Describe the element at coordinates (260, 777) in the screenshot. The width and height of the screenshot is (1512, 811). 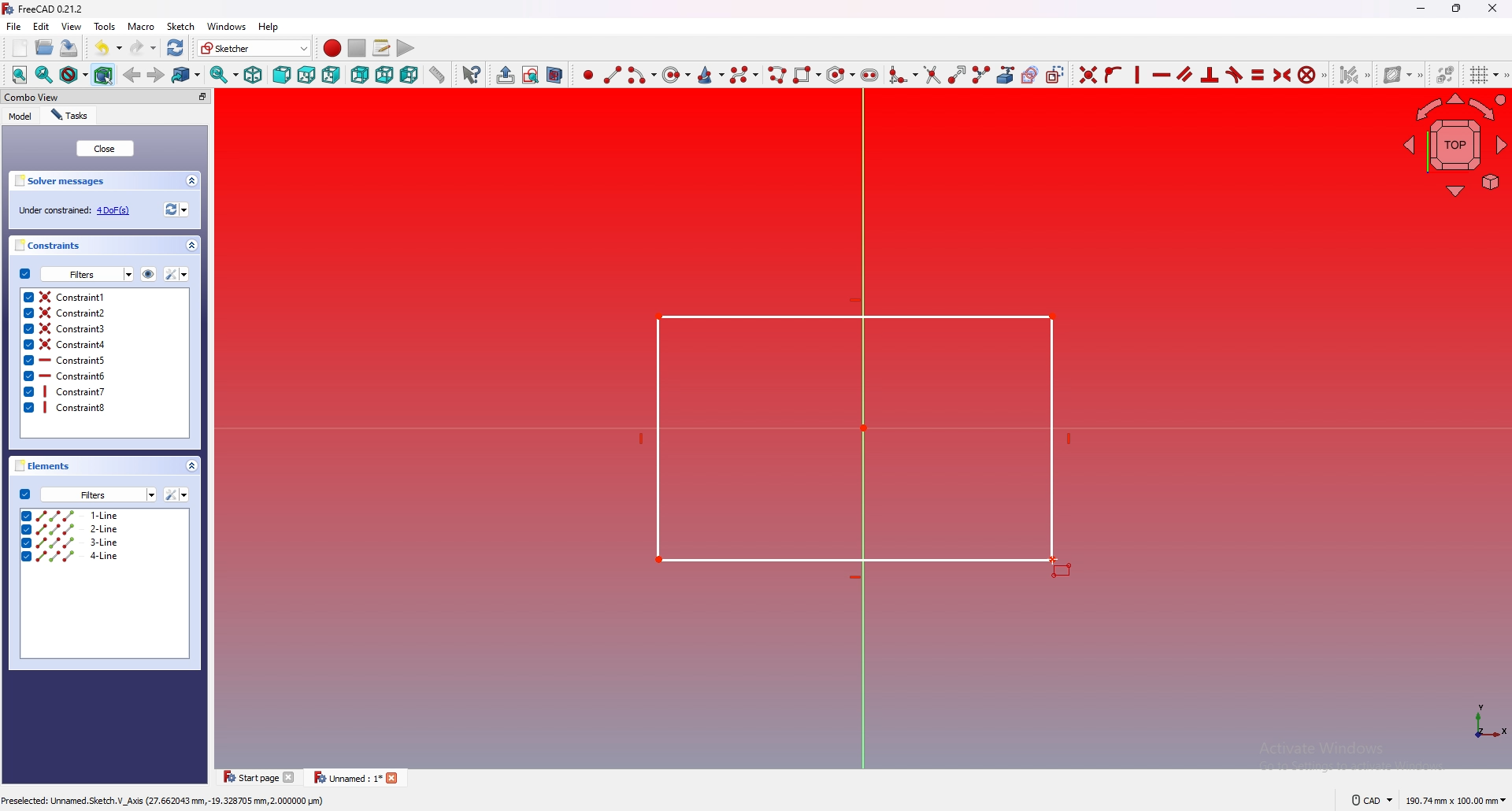
I see `tab` at that location.